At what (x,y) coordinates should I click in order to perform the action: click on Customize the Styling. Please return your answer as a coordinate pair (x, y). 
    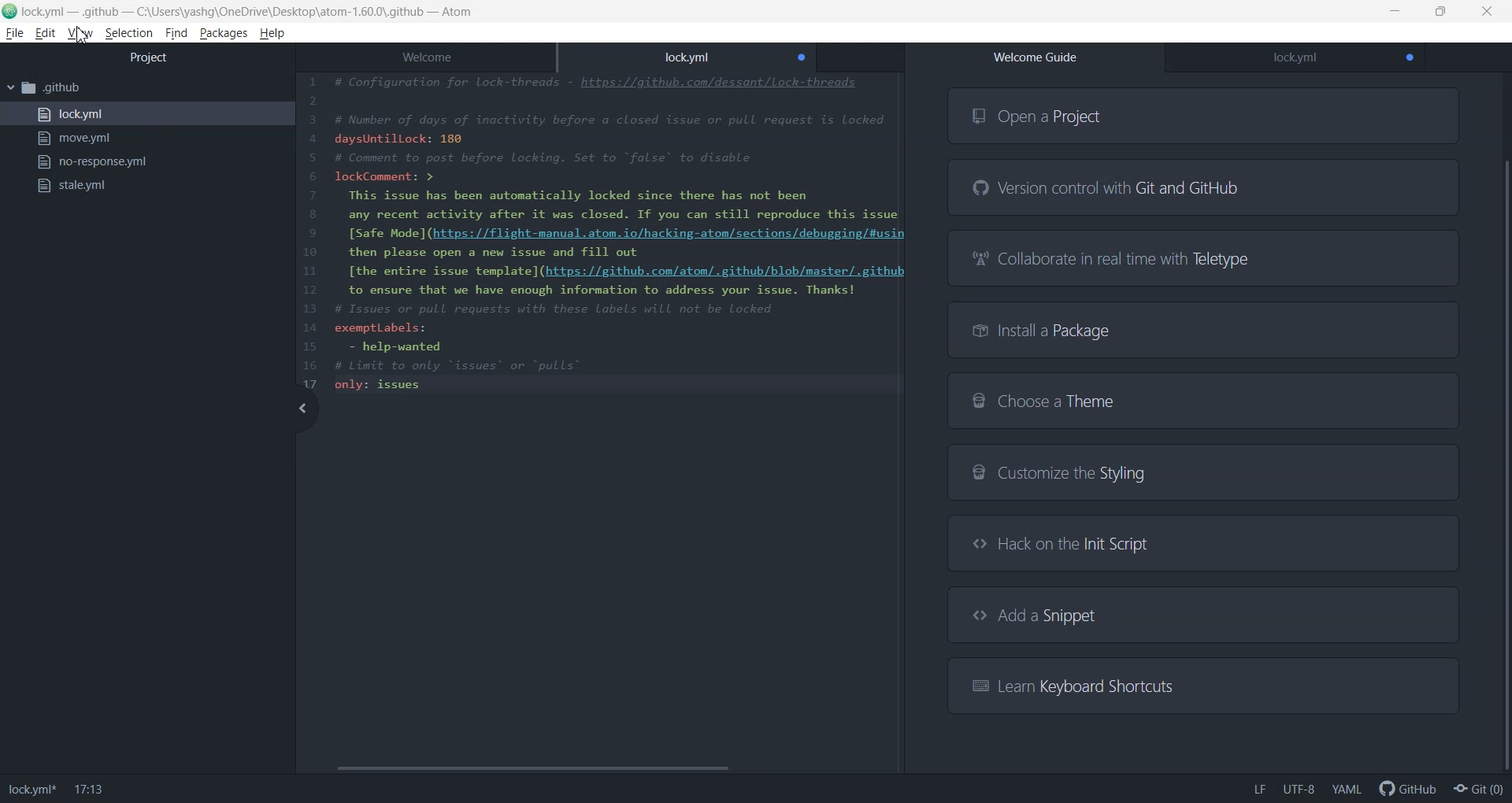
    Looking at the image, I should click on (1203, 475).